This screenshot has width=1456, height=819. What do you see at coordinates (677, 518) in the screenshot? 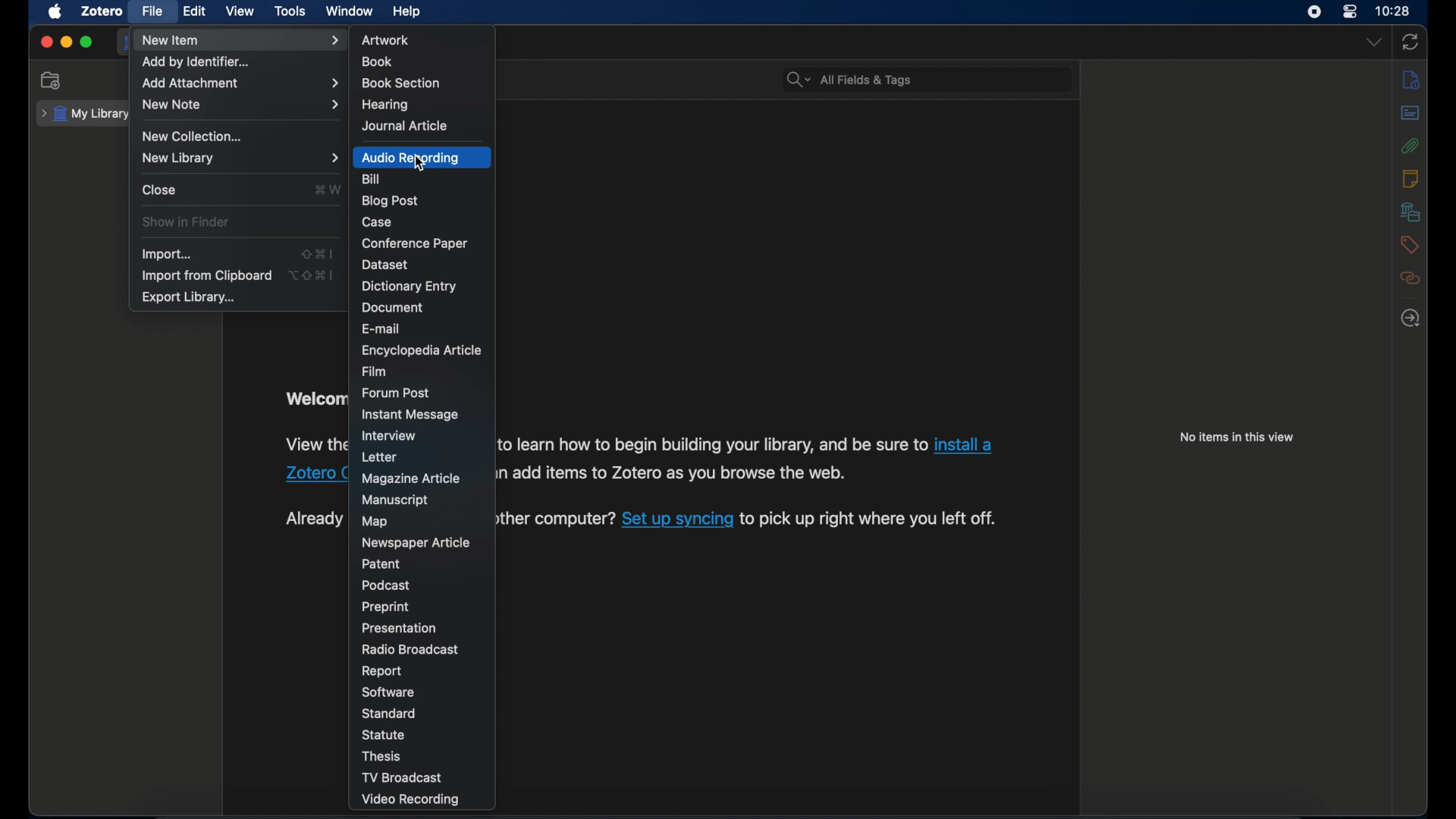
I see `link` at bounding box center [677, 518].